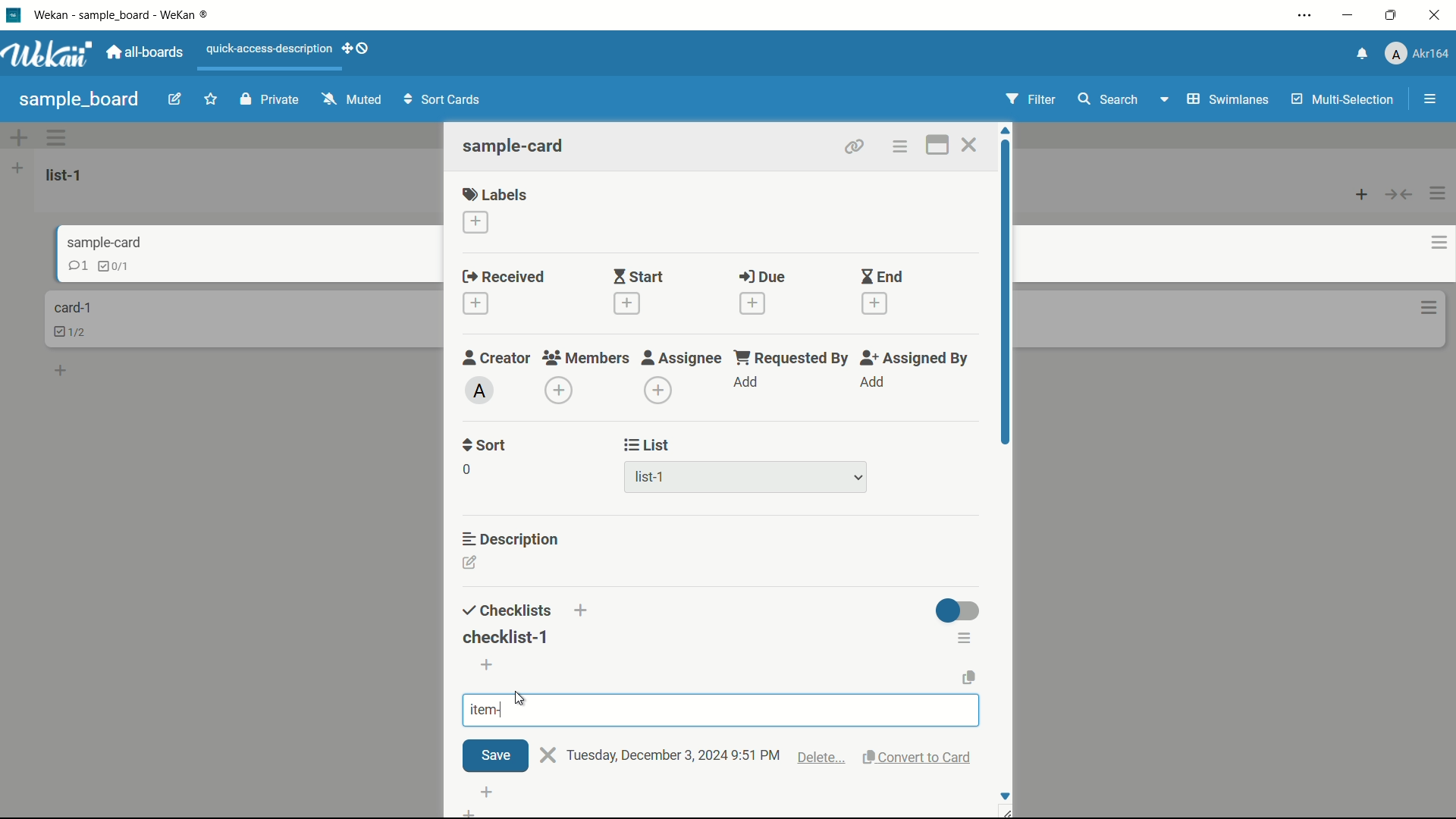 The width and height of the screenshot is (1456, 819). What do you see at coordinates (495, 193) in the screenshot?
I see `labels` at bounding box center [495, 193].